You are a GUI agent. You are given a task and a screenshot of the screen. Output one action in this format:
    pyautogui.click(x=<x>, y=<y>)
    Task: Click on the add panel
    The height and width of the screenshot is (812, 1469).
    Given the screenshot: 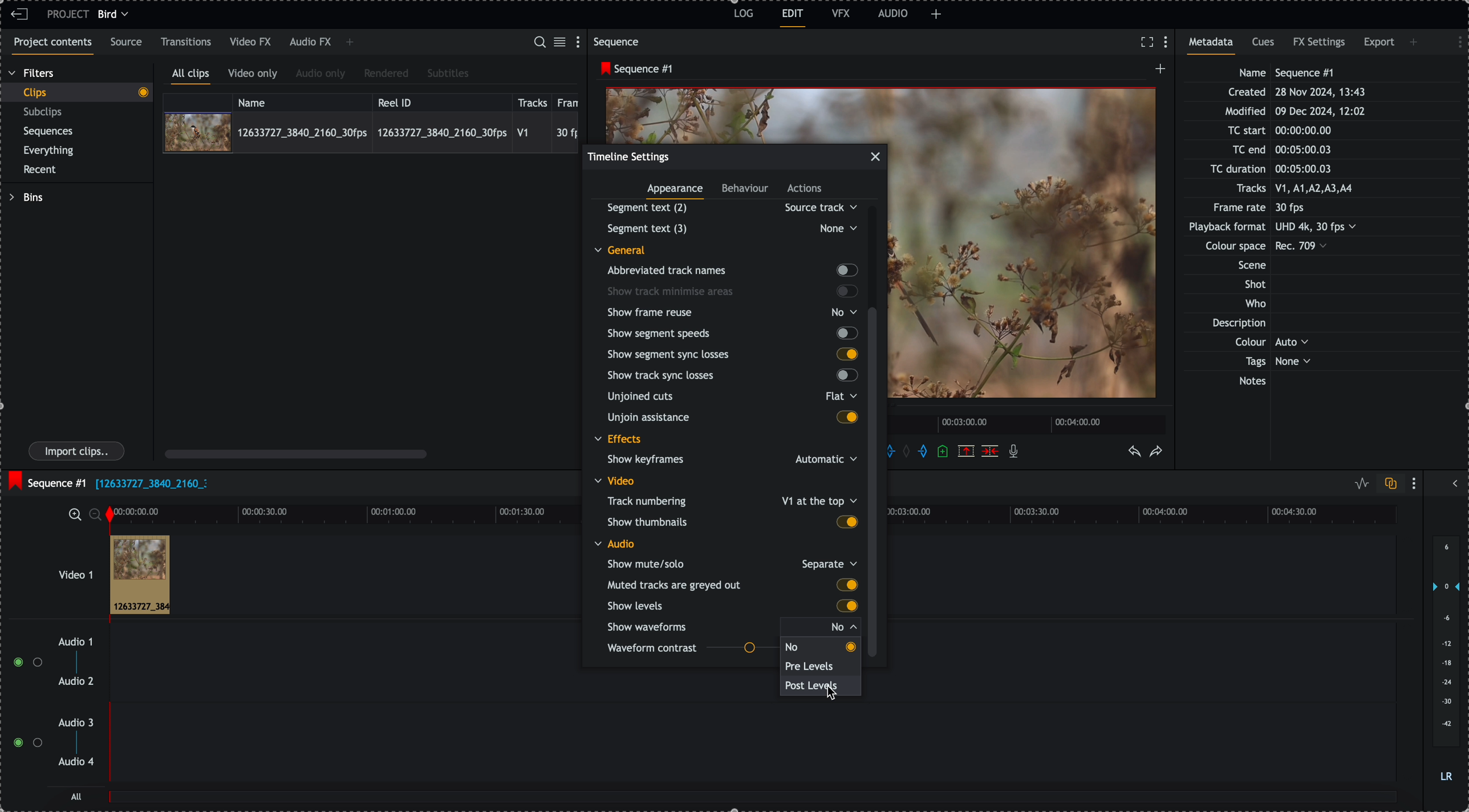 What is the action you would take?
    pyautogui.click(x=936, y=14)
    